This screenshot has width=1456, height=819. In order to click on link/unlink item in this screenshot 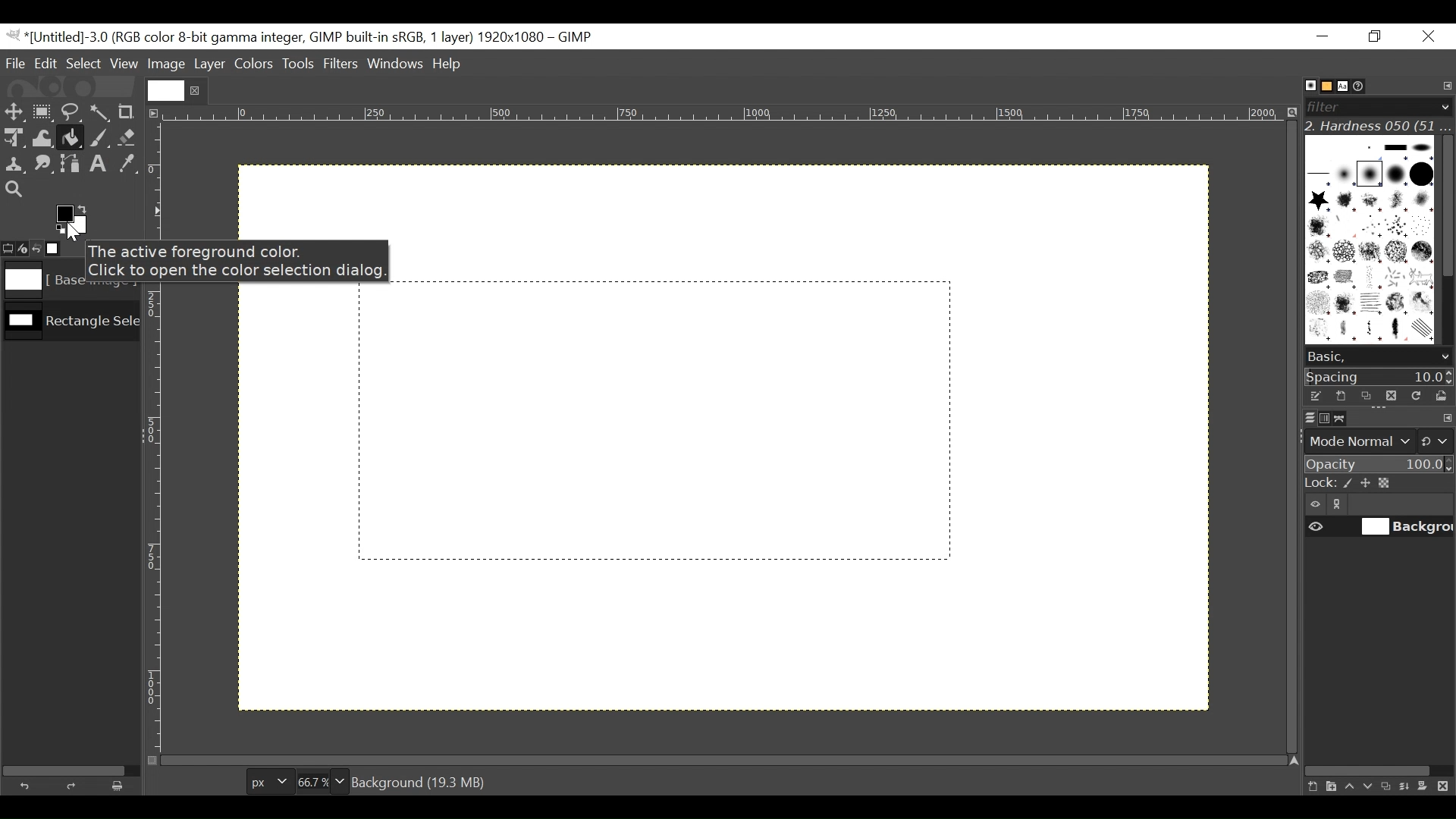, I will do `click(1341, 507)`.